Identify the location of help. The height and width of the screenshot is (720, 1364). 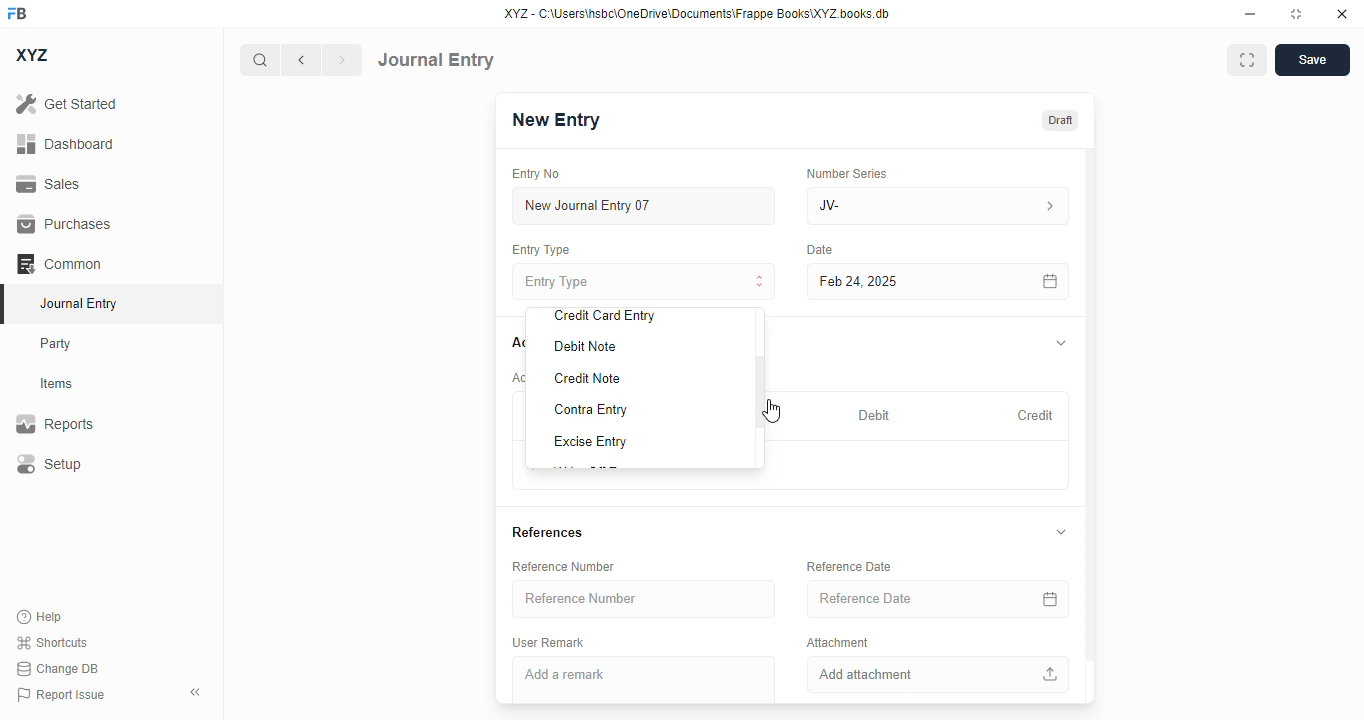
(40, 617).